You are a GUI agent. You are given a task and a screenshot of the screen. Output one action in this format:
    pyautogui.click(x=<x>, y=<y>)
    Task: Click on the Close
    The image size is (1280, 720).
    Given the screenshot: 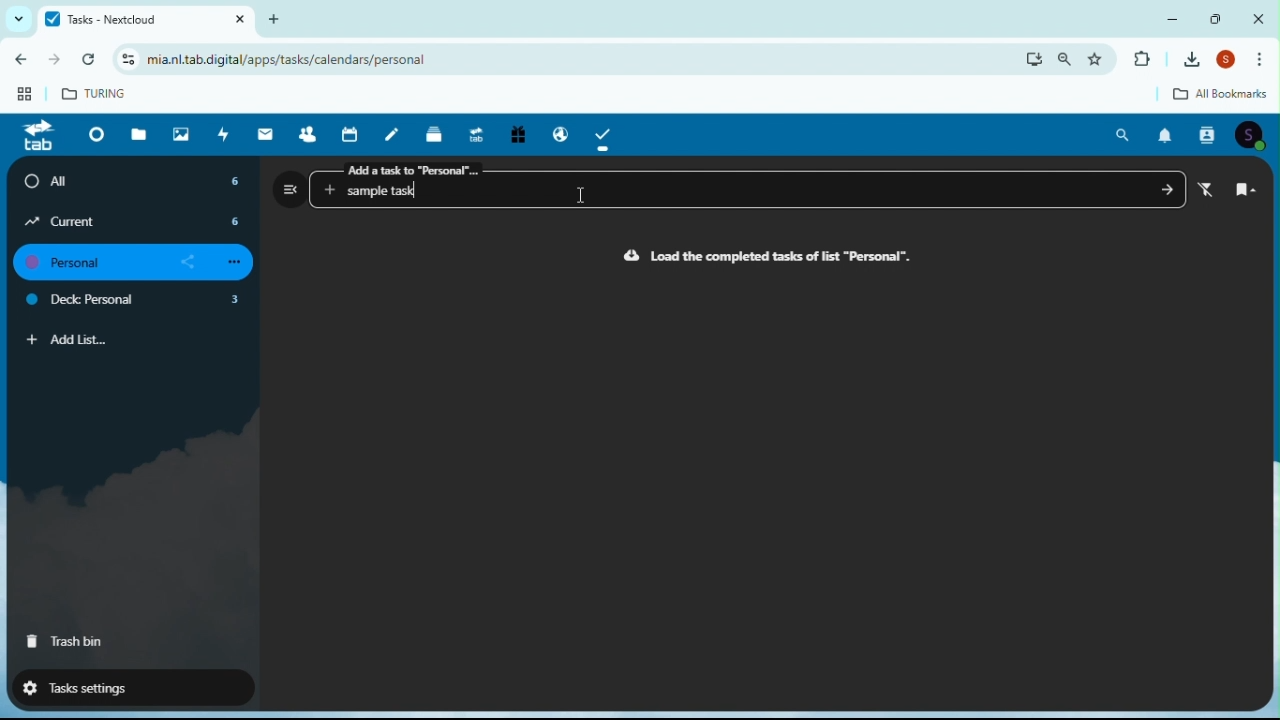 What is the action you would take?
    pyautogui.click(x=1258, y=18)
    